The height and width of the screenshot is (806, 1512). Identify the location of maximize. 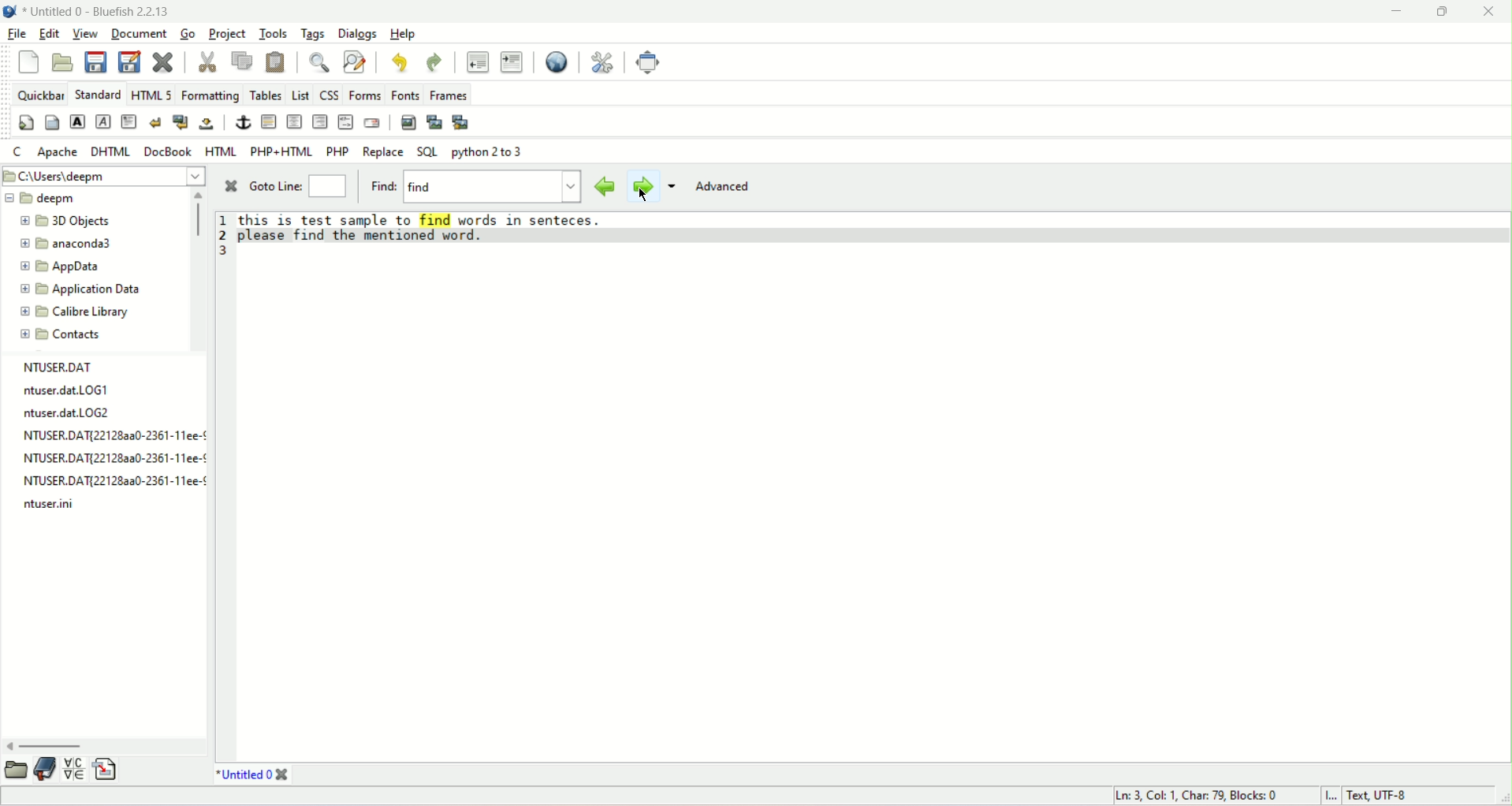
(1441, 12).